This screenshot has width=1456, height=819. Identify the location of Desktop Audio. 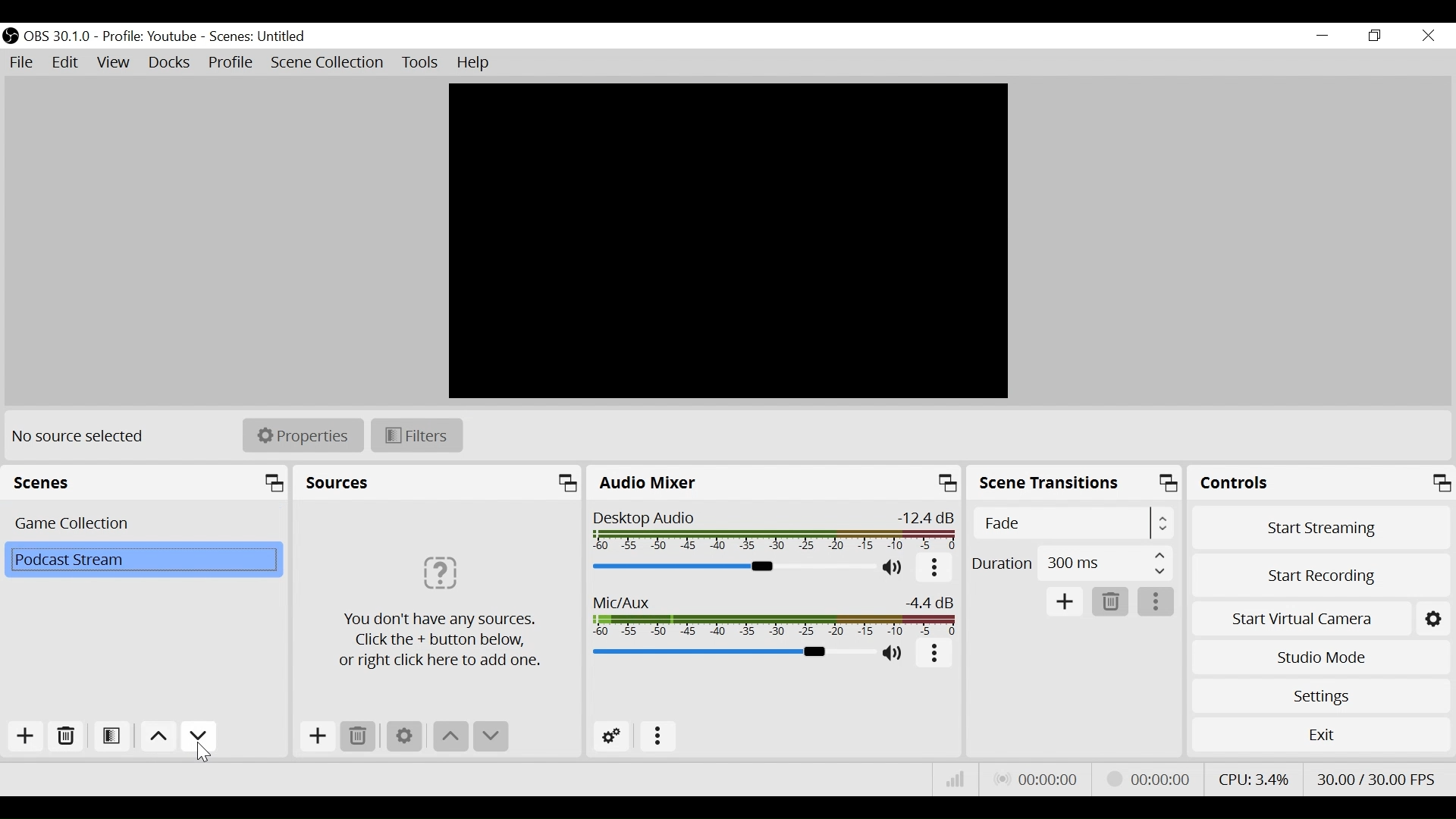
(775, 532).